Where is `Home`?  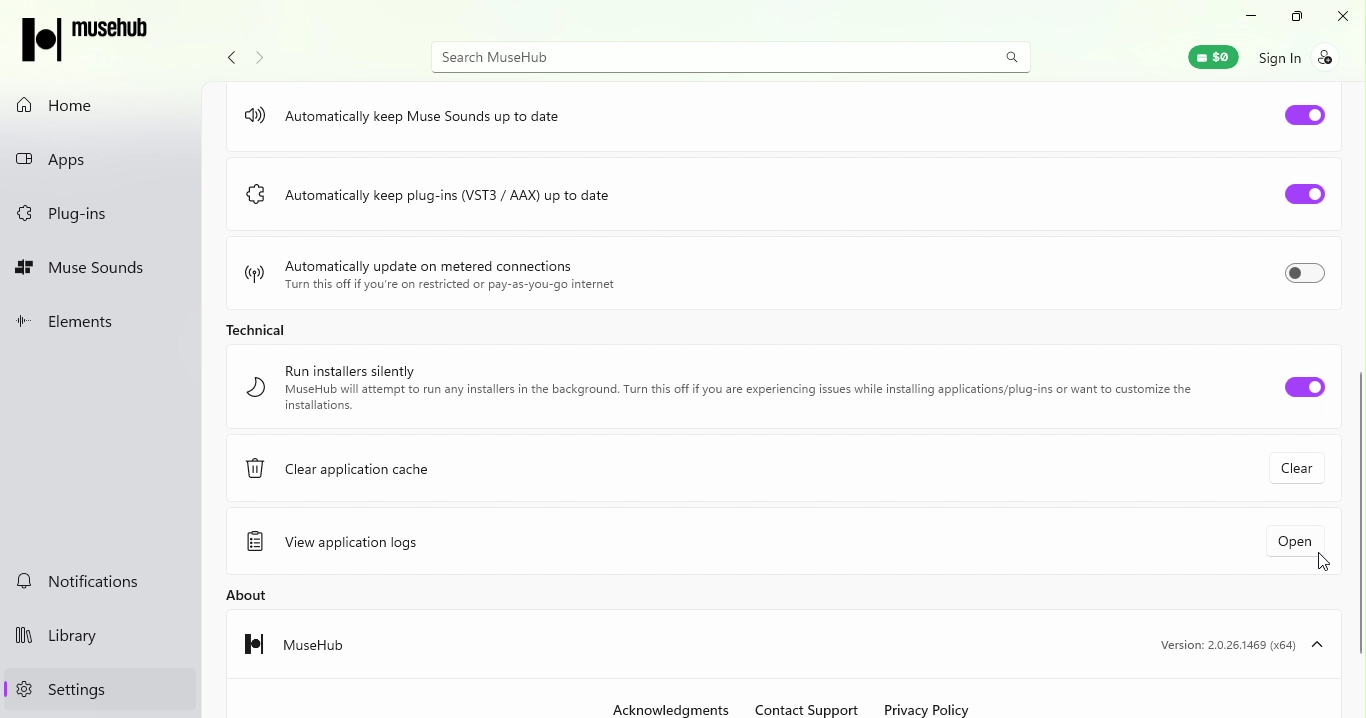
Home is located at coordinates (71, 107).